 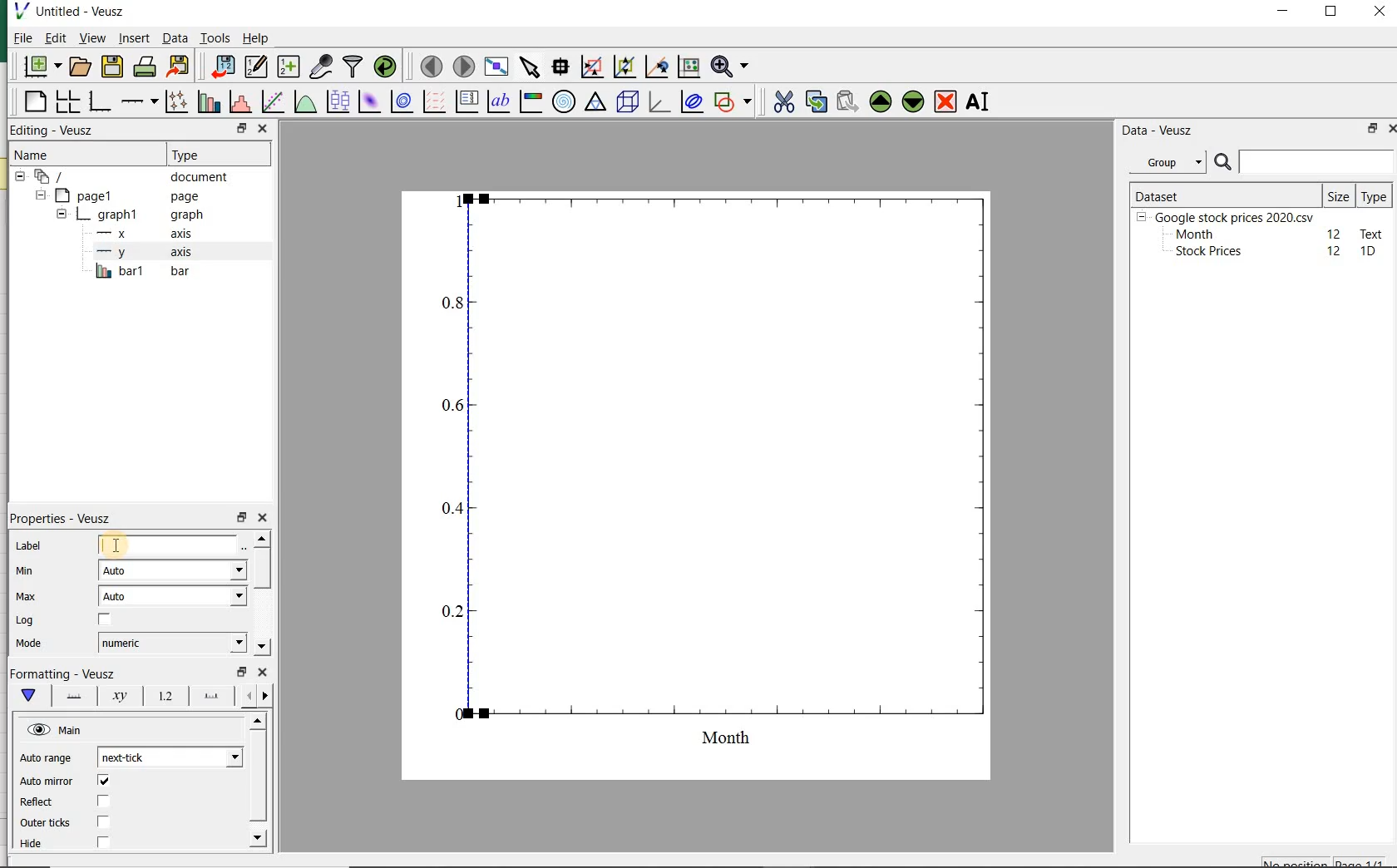 I want to click on renames the selected widget, so click(x=975, y=104).